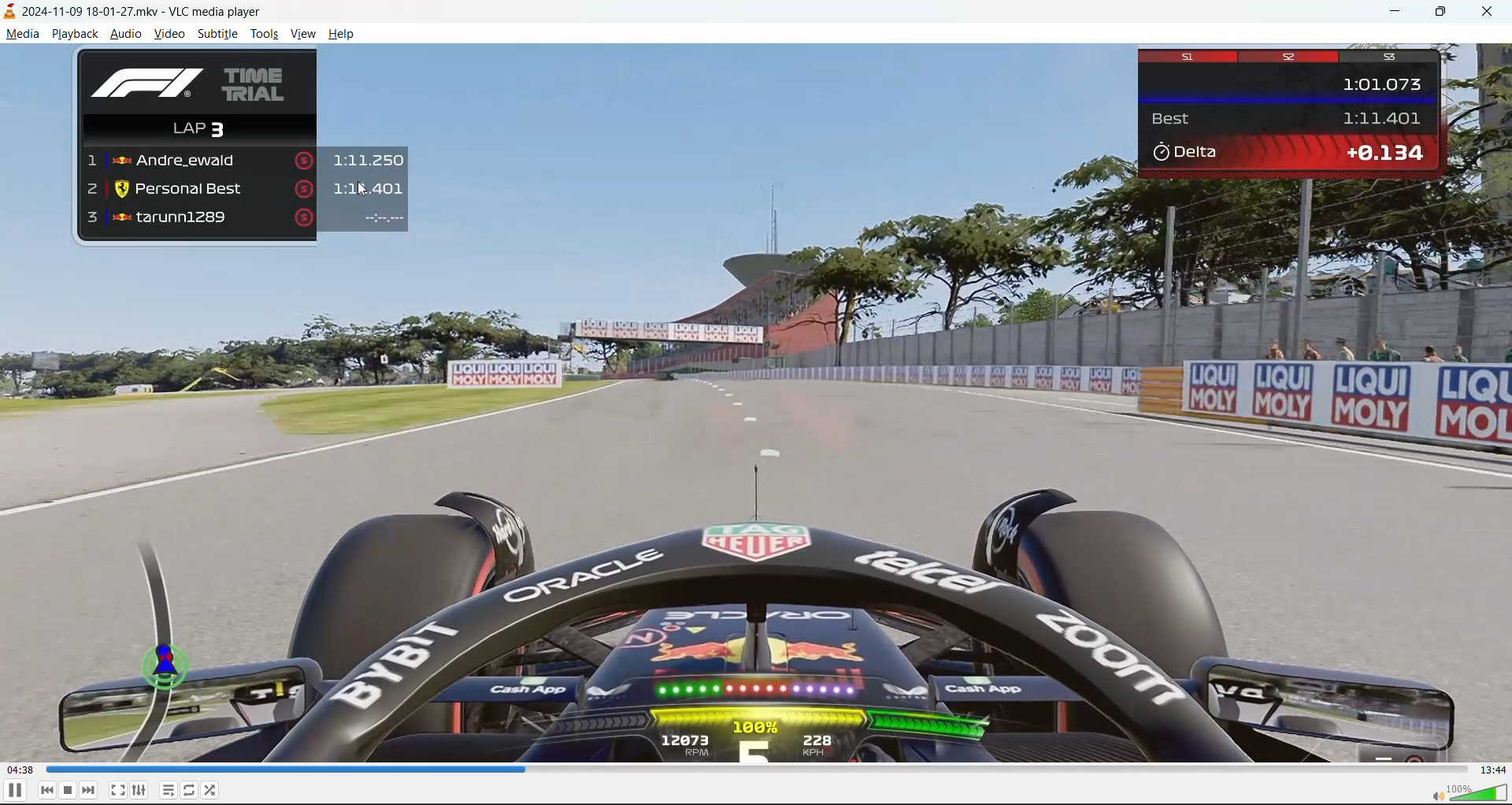 This screenshot has width=1512, height=805. What do you see at coordinates (300, 34) in the screenshot?
I see `view` at bounding box center [300, 34].